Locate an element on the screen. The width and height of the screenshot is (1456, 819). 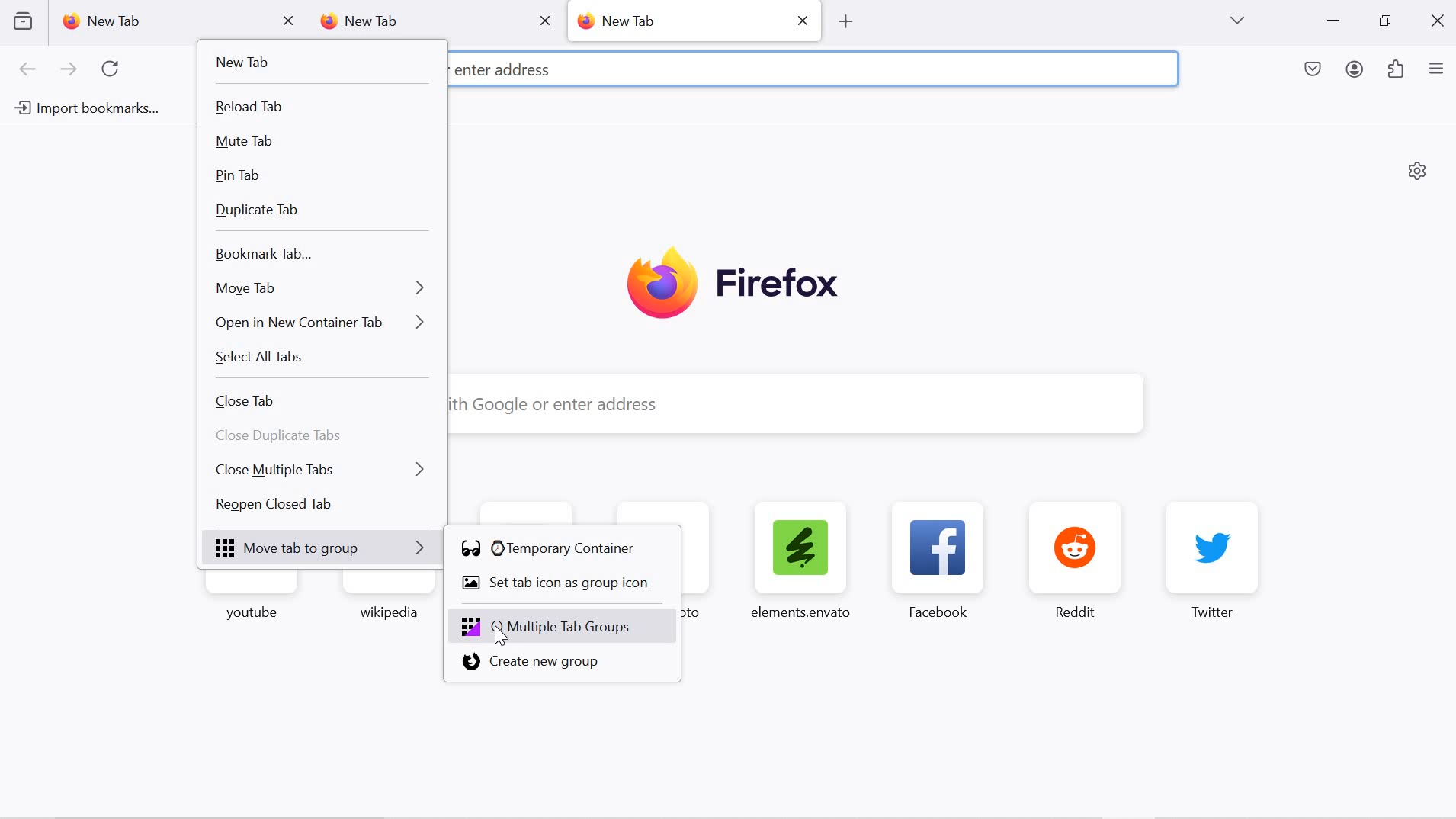
cursor is located at coordinates (499, 637).